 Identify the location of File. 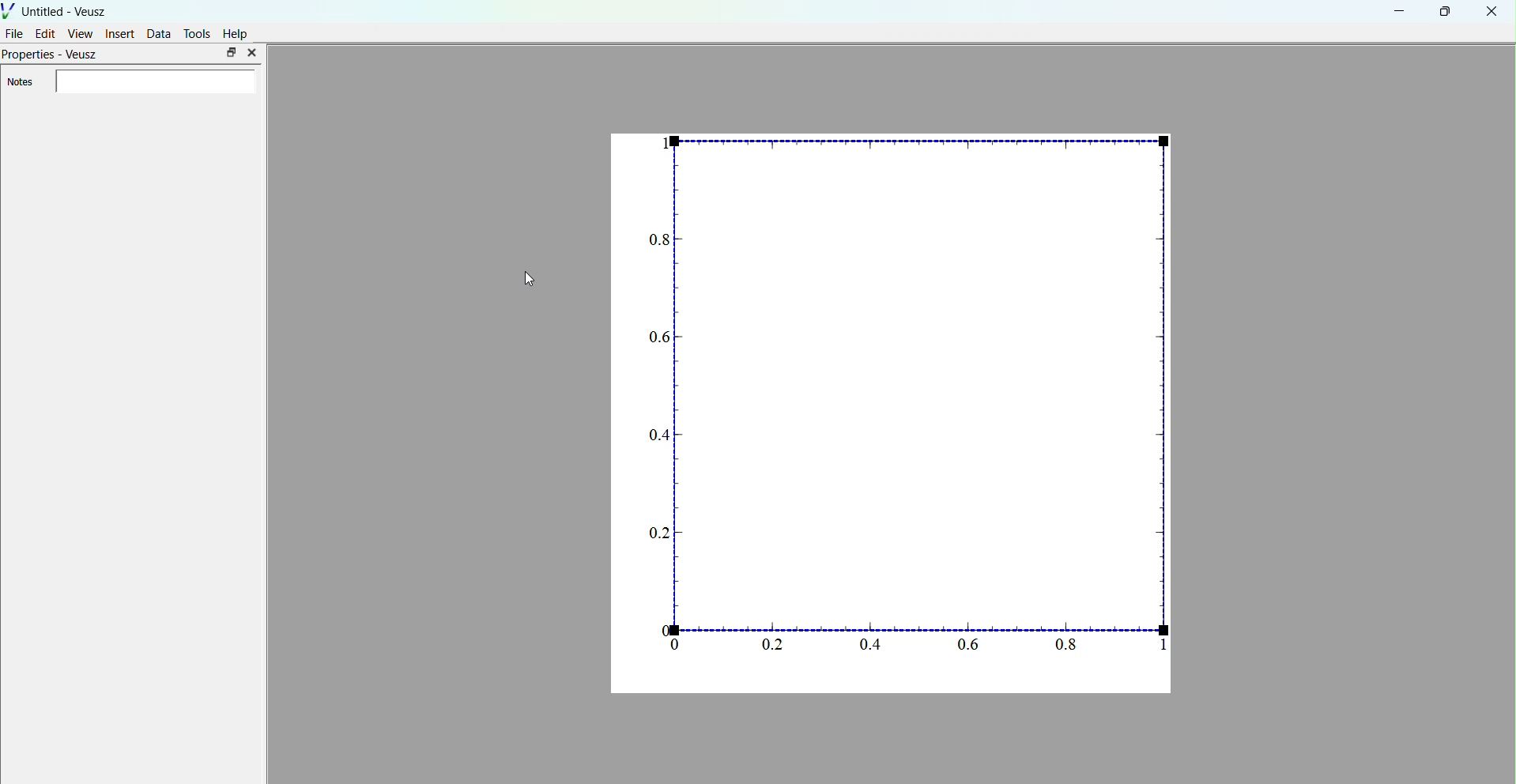
(15, 32).